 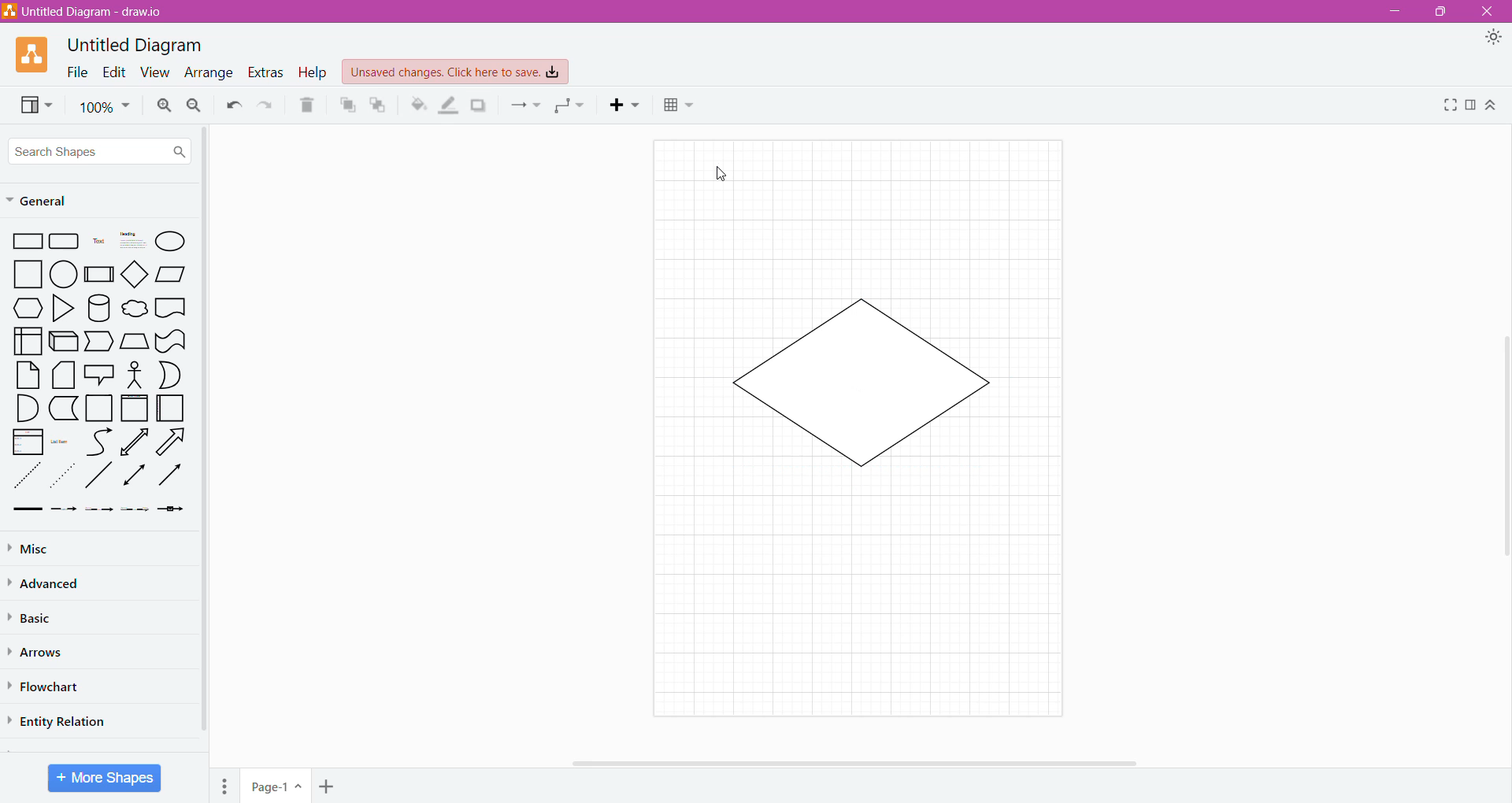 I want to click on FullScreen, so click(x=1447, y=105).